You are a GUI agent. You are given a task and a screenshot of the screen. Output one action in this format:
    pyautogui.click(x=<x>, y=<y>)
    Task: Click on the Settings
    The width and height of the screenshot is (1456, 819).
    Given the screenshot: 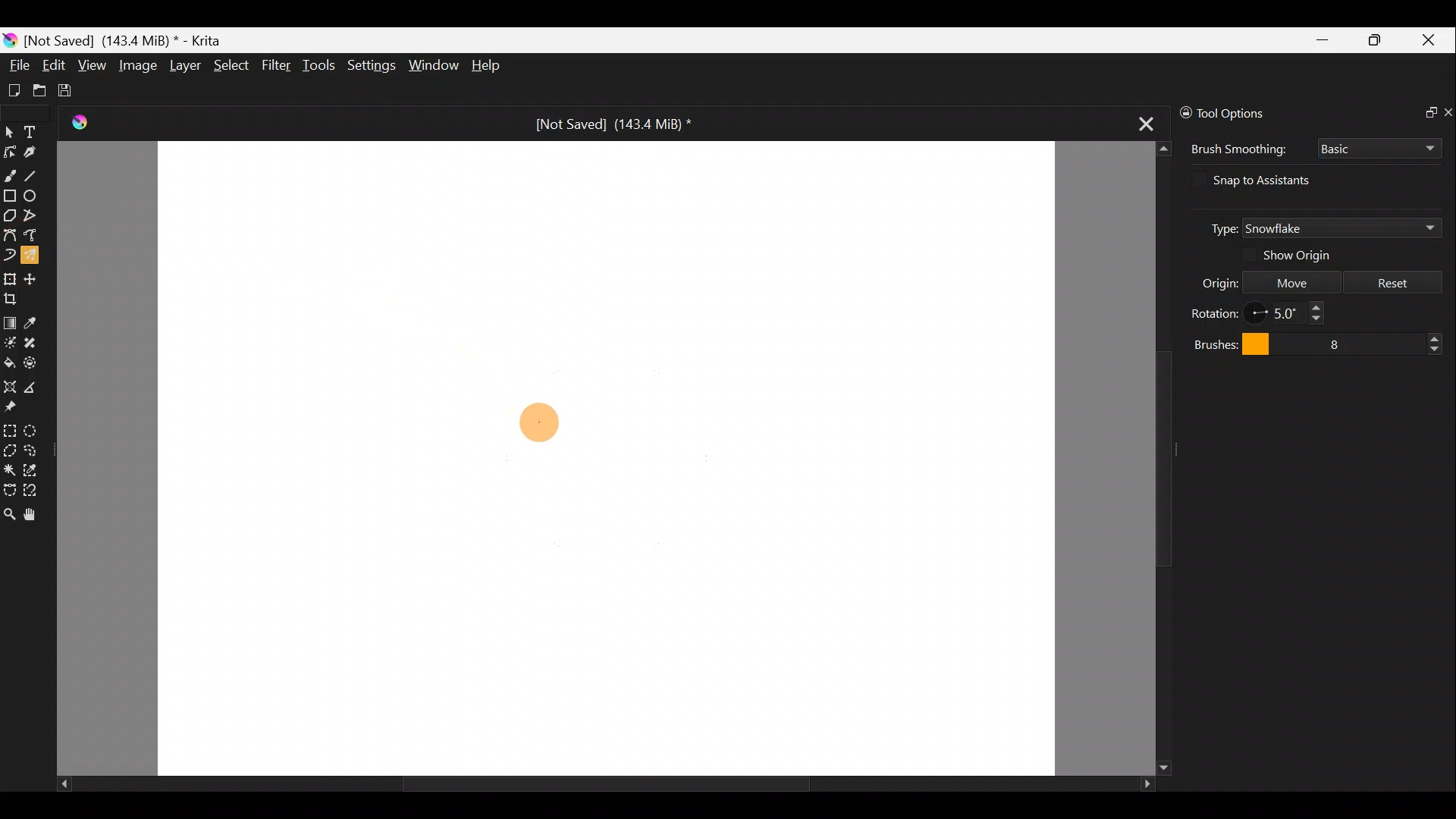 What is the action you would take?
    pyautogui.click(x=369, y=66)
    